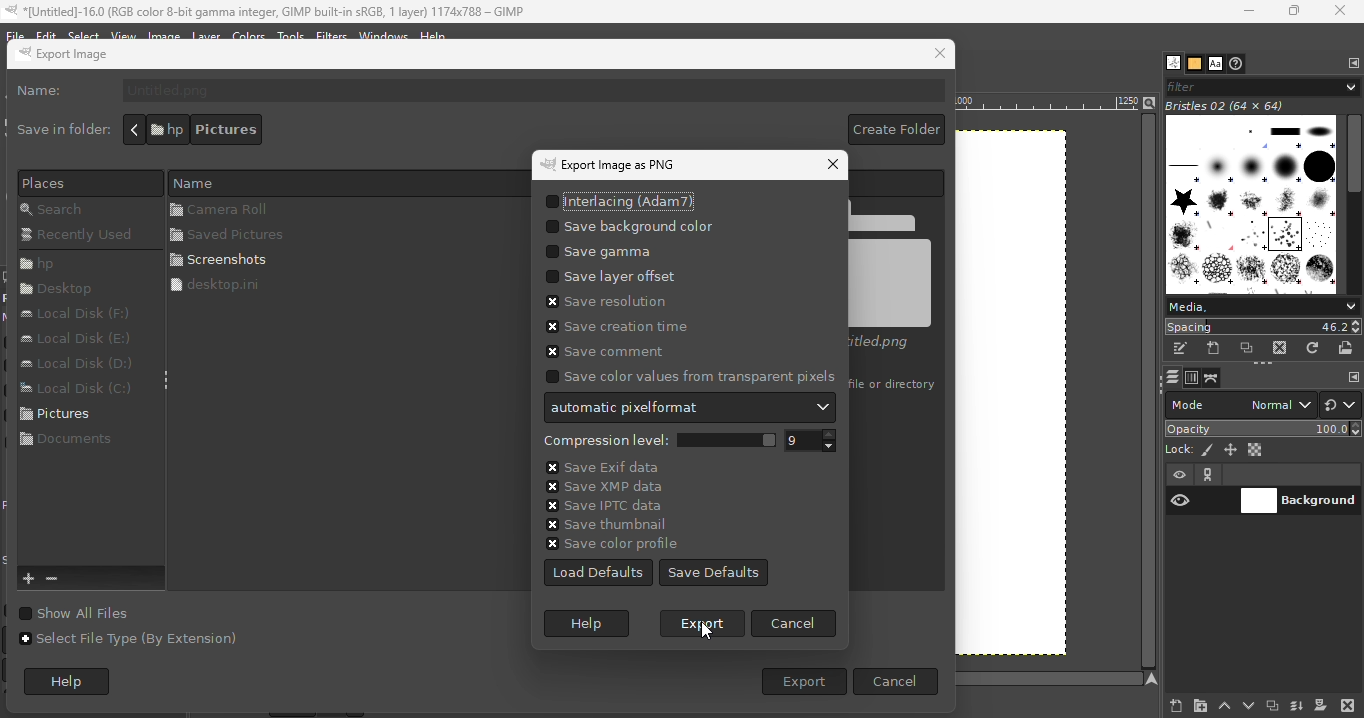  Describe the element at coordinates (938, 55) in the screenshot. I see `Close` at that location.